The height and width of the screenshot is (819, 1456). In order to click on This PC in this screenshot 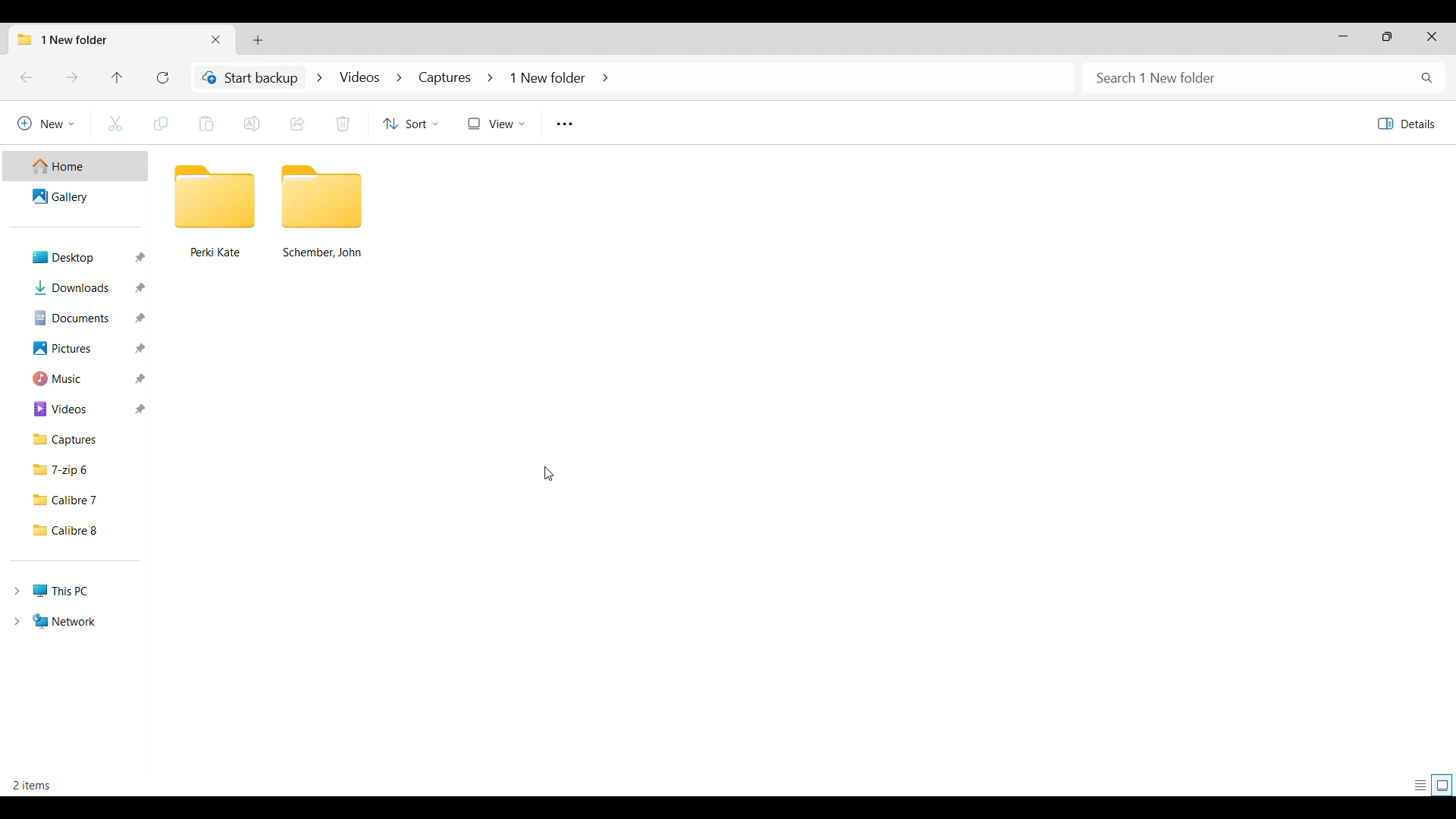, I will do `click(61, 591)`.